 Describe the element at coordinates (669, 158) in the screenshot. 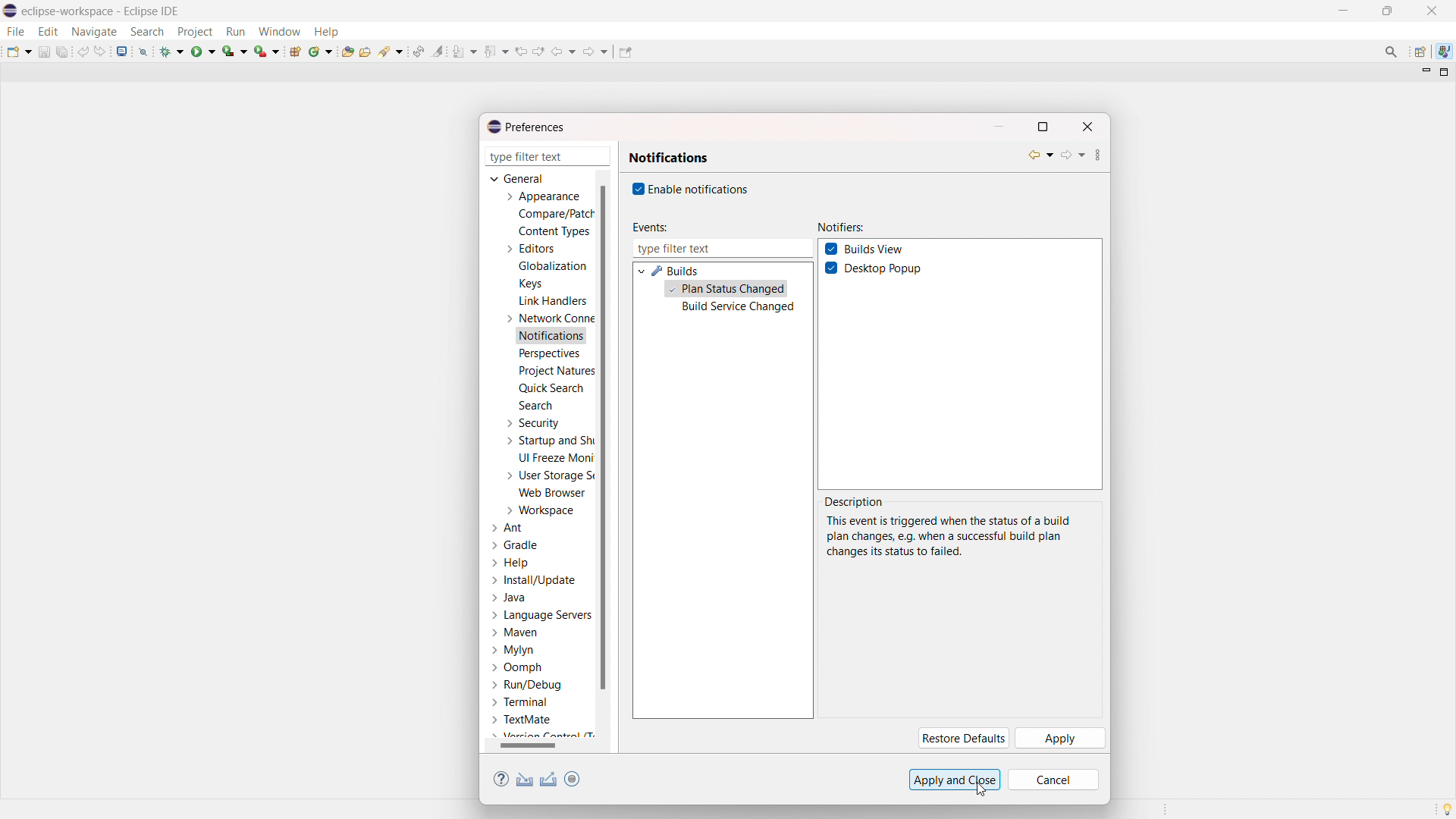

I see `notifications` at that location.